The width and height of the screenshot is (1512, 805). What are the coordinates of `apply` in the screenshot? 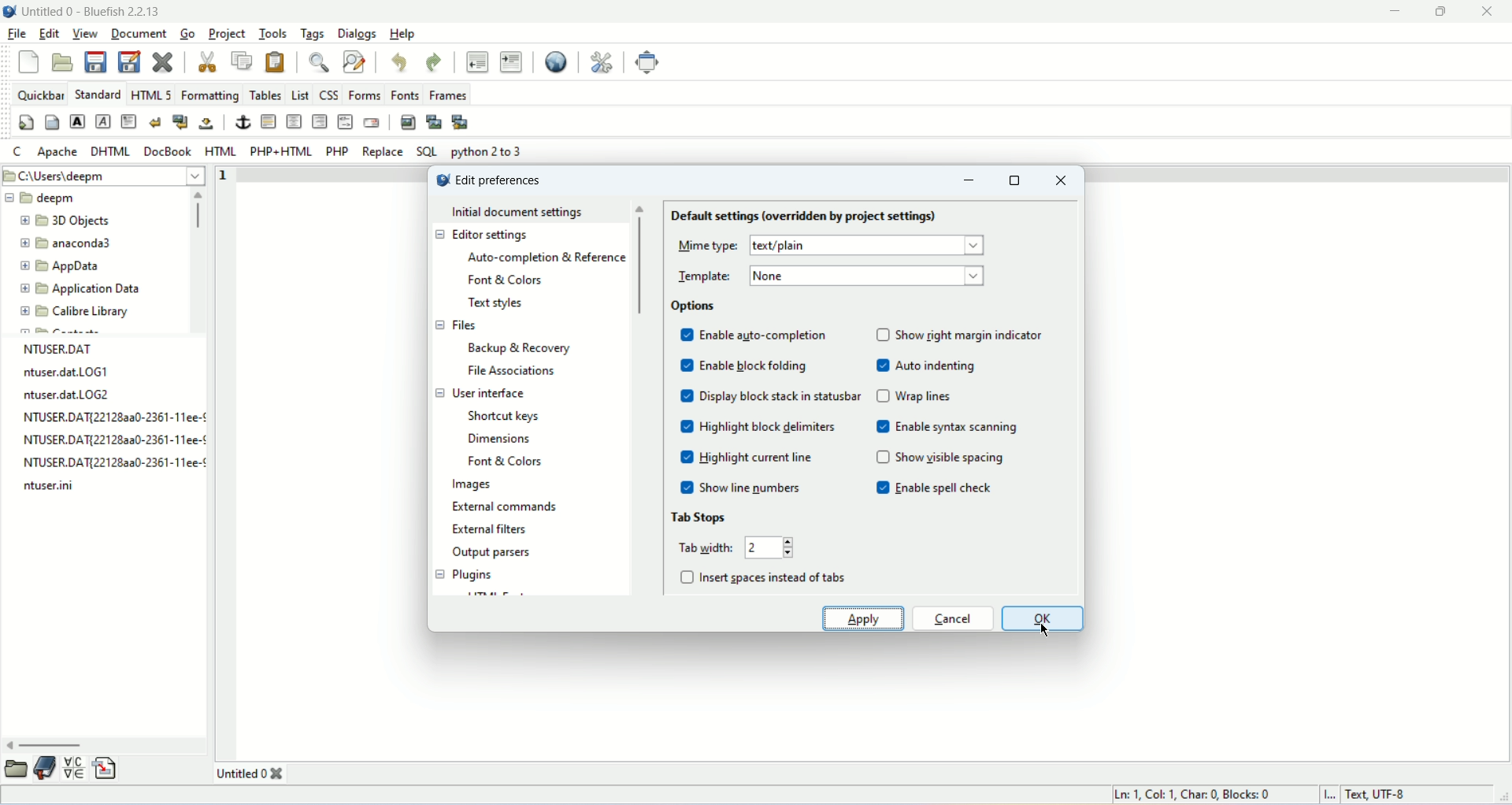 It's located at (863, 620).